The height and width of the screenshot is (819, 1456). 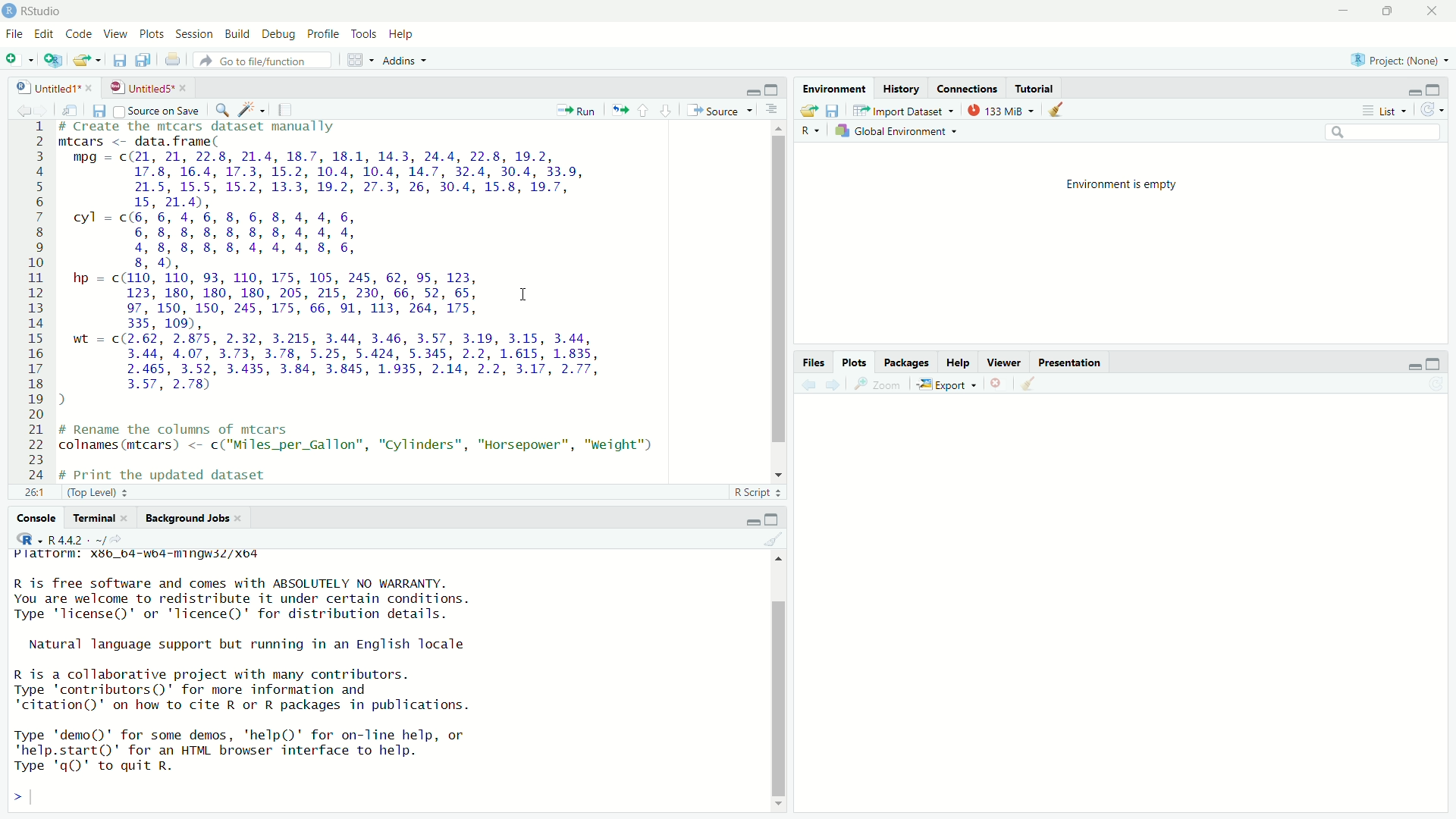 I want to click on downward, so click(x=667, y=106).